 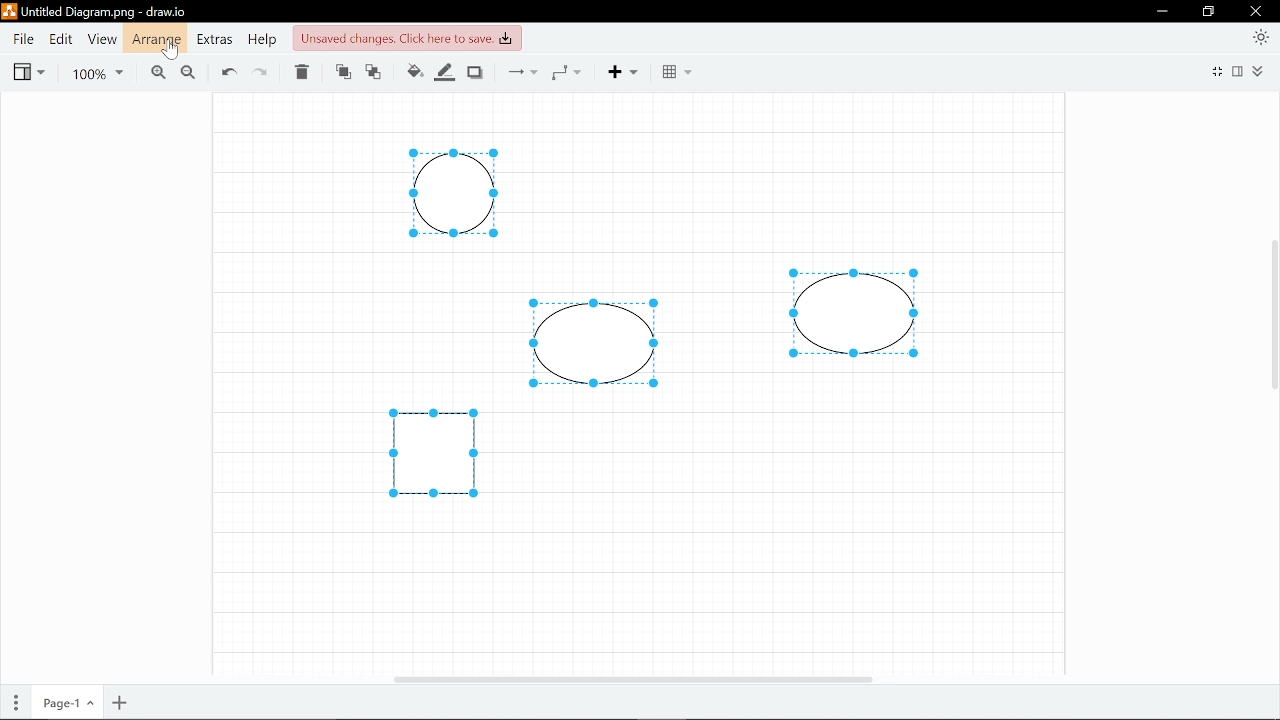 What do you see at coordinates (572, 71) in the screenshot?
I see `Waypoints` at bounding box center [572, 71].